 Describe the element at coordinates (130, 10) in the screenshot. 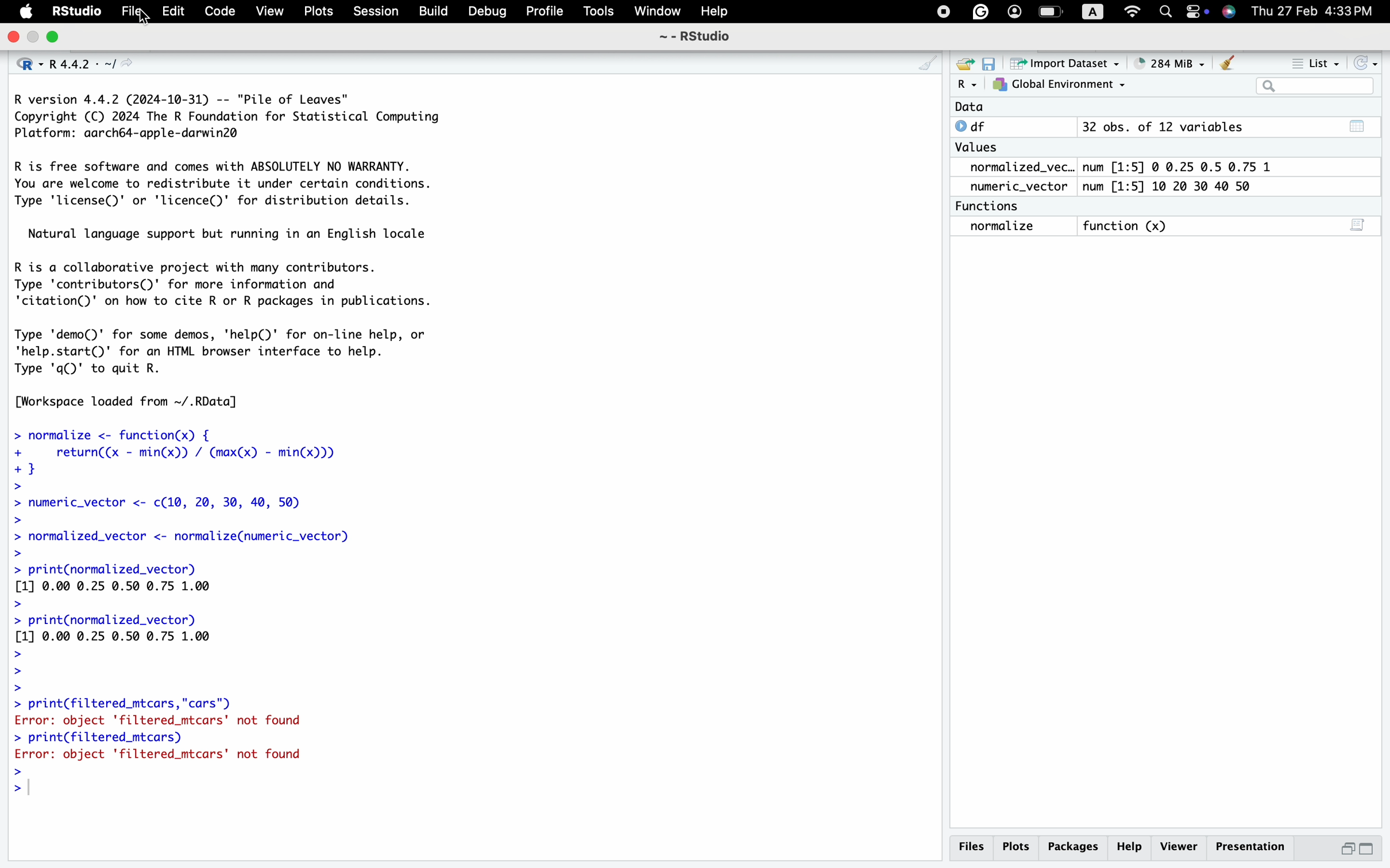

I see `Filen` at that location.